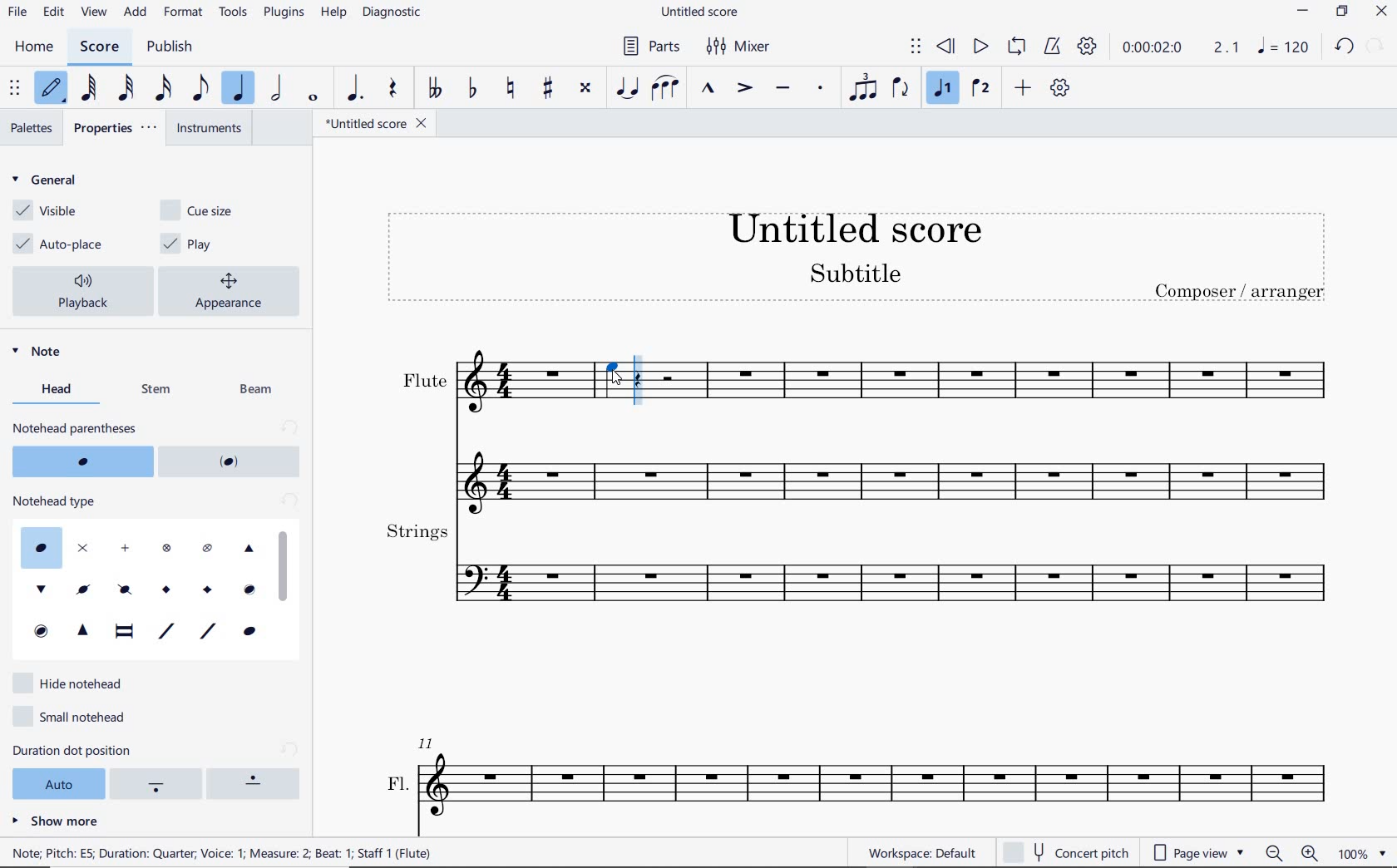 The image size is (1397, 868). Describe the element at coordinates (334, 12) in the screenshot. I see `HELP` at that location.